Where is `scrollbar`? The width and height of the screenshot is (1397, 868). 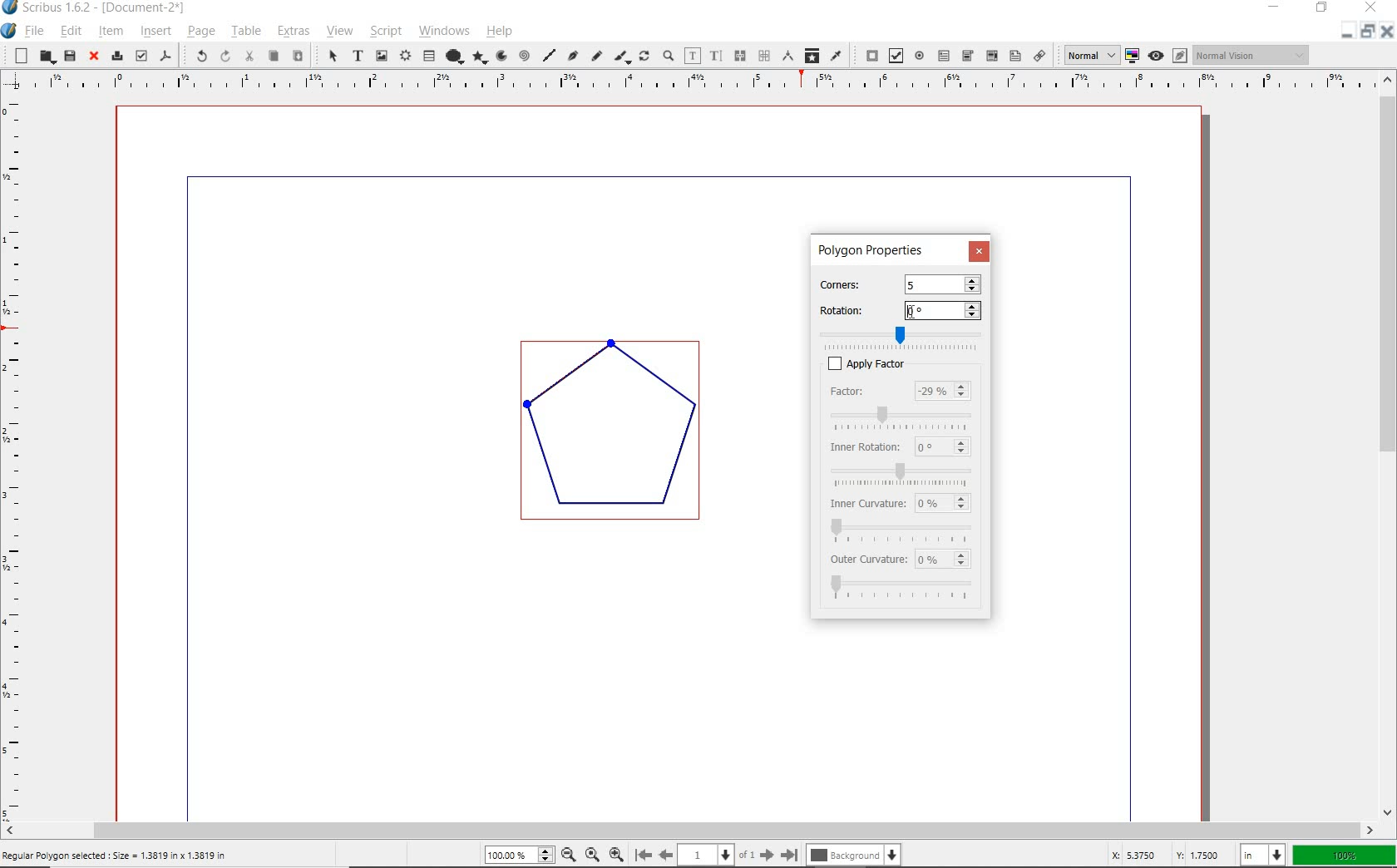
scrollbar is located at coordinates (1389, 446).